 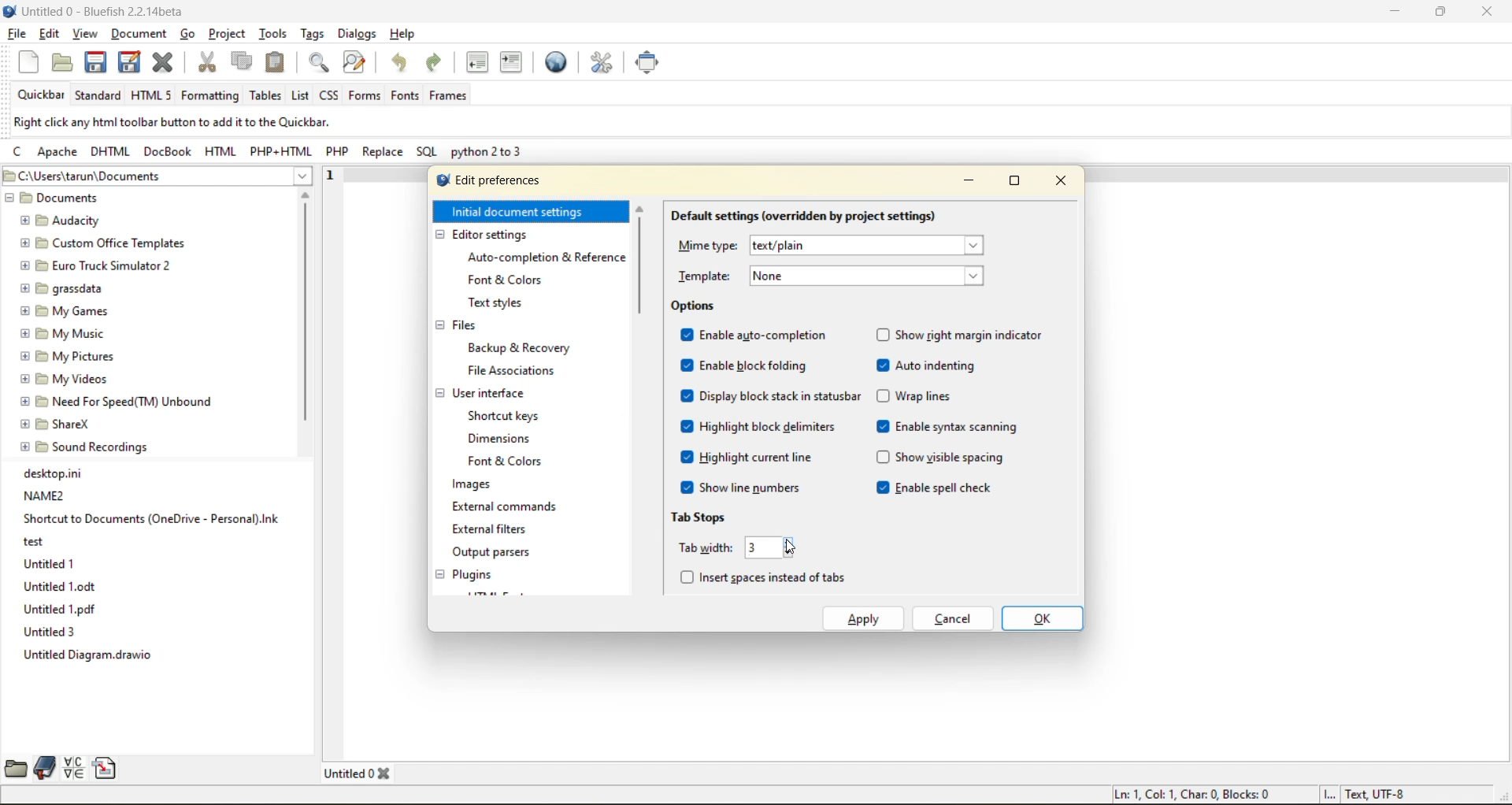 What do you see at coordinates (312, 34) in the screenshot?
I see `tags` at bounding box center [312, 34].